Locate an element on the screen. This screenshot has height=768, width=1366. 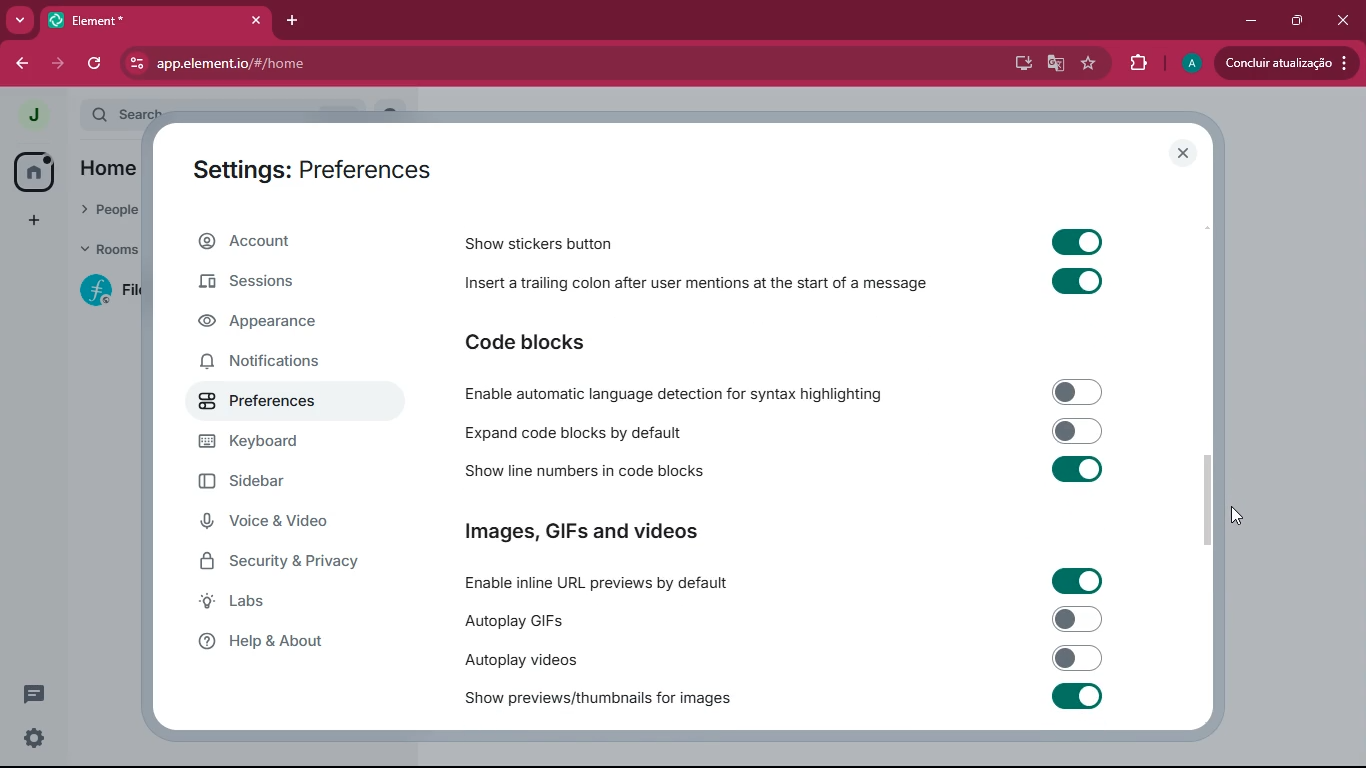
home is located at coordinates (31, 172).